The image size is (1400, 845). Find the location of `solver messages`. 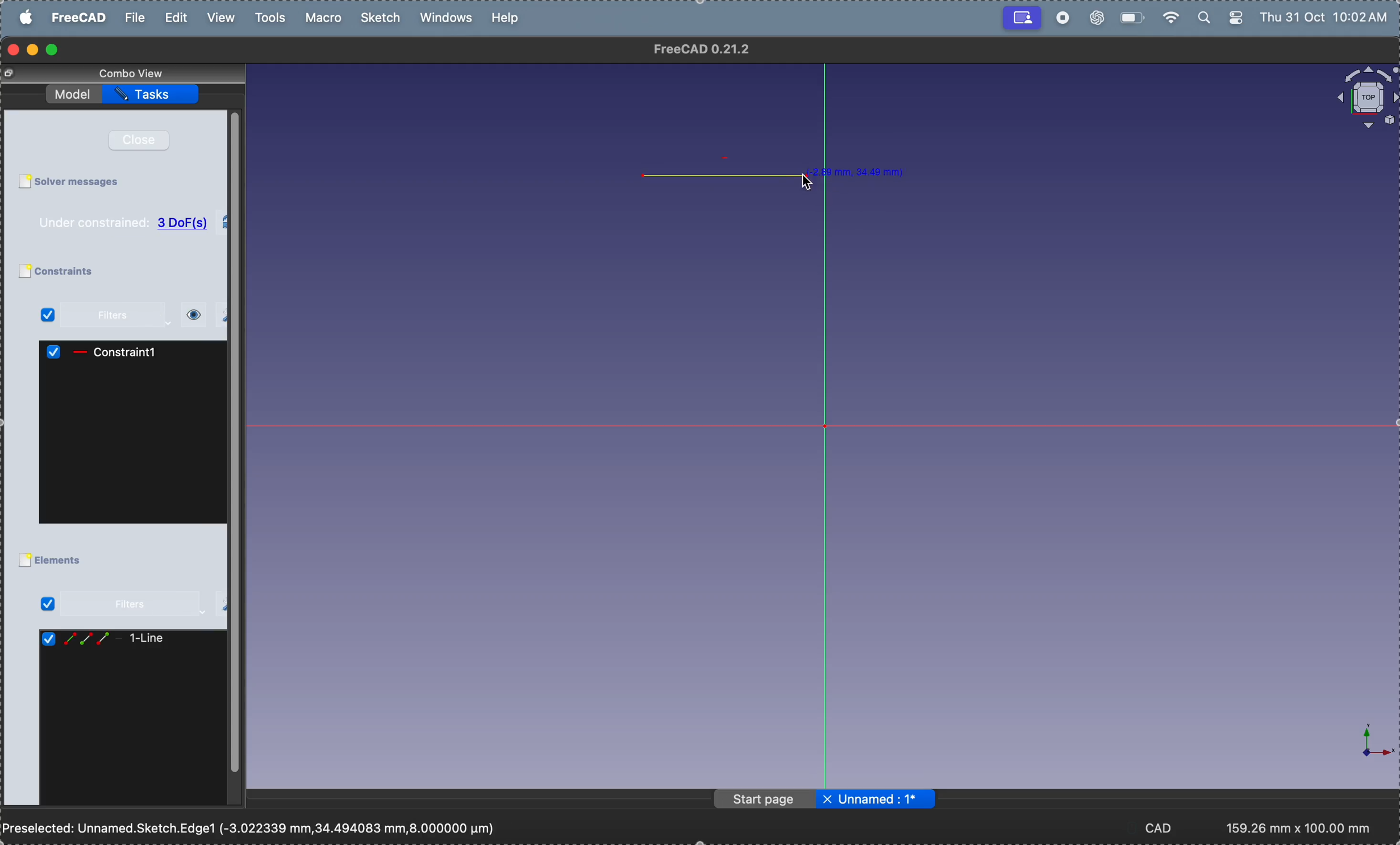

solver messages is located at coordinates (82, 182).